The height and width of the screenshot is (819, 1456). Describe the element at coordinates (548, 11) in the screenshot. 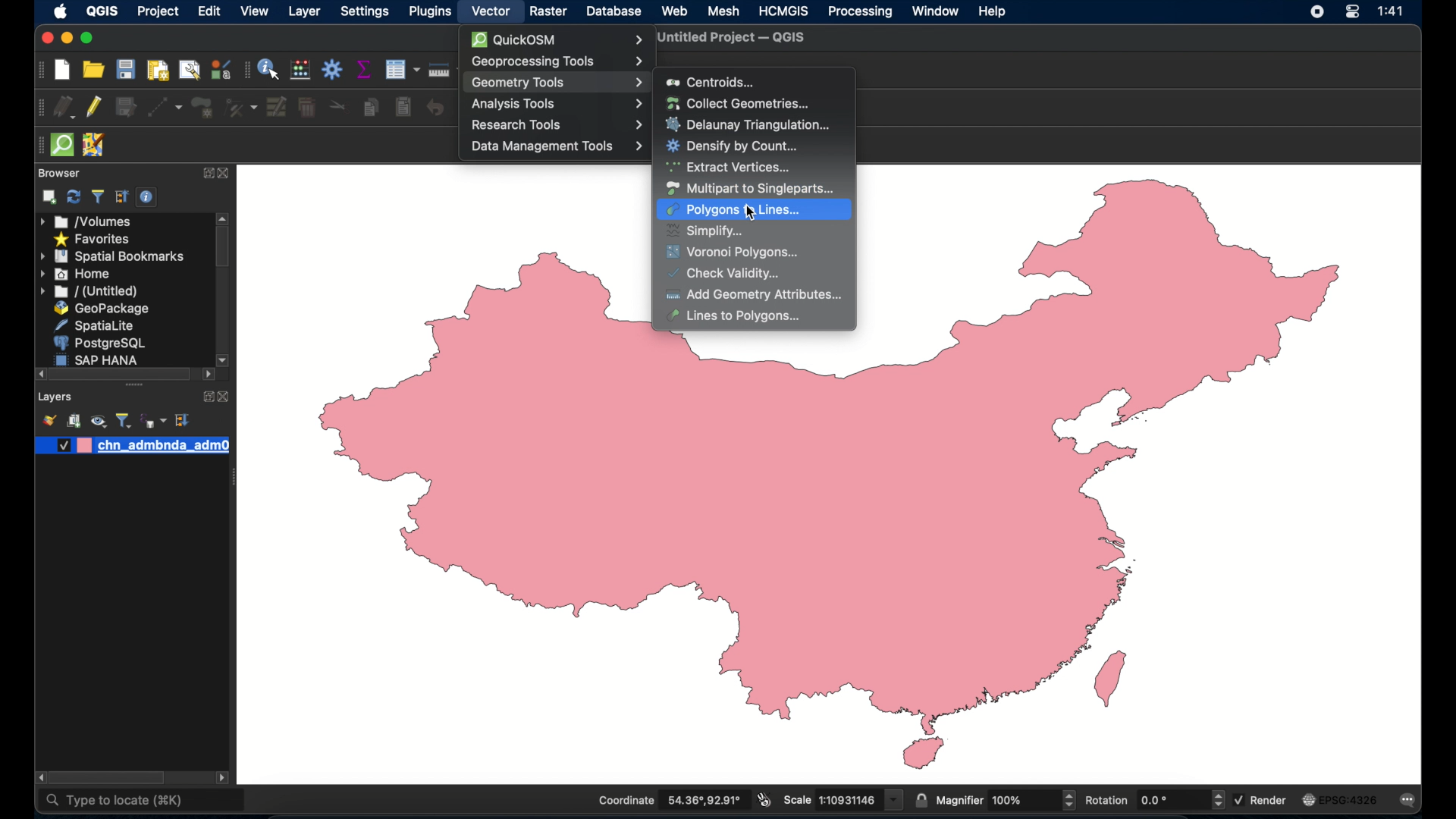

I see `raster` at that location.